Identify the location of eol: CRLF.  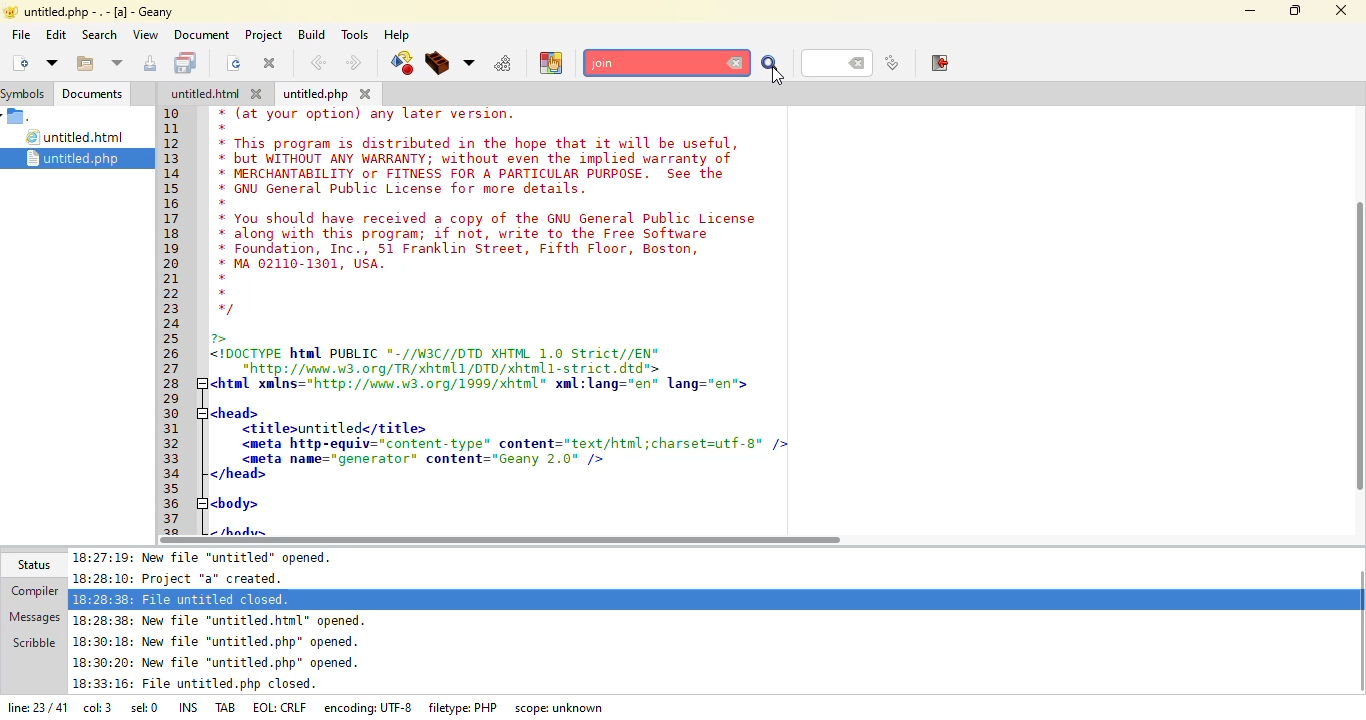
(282, 708).